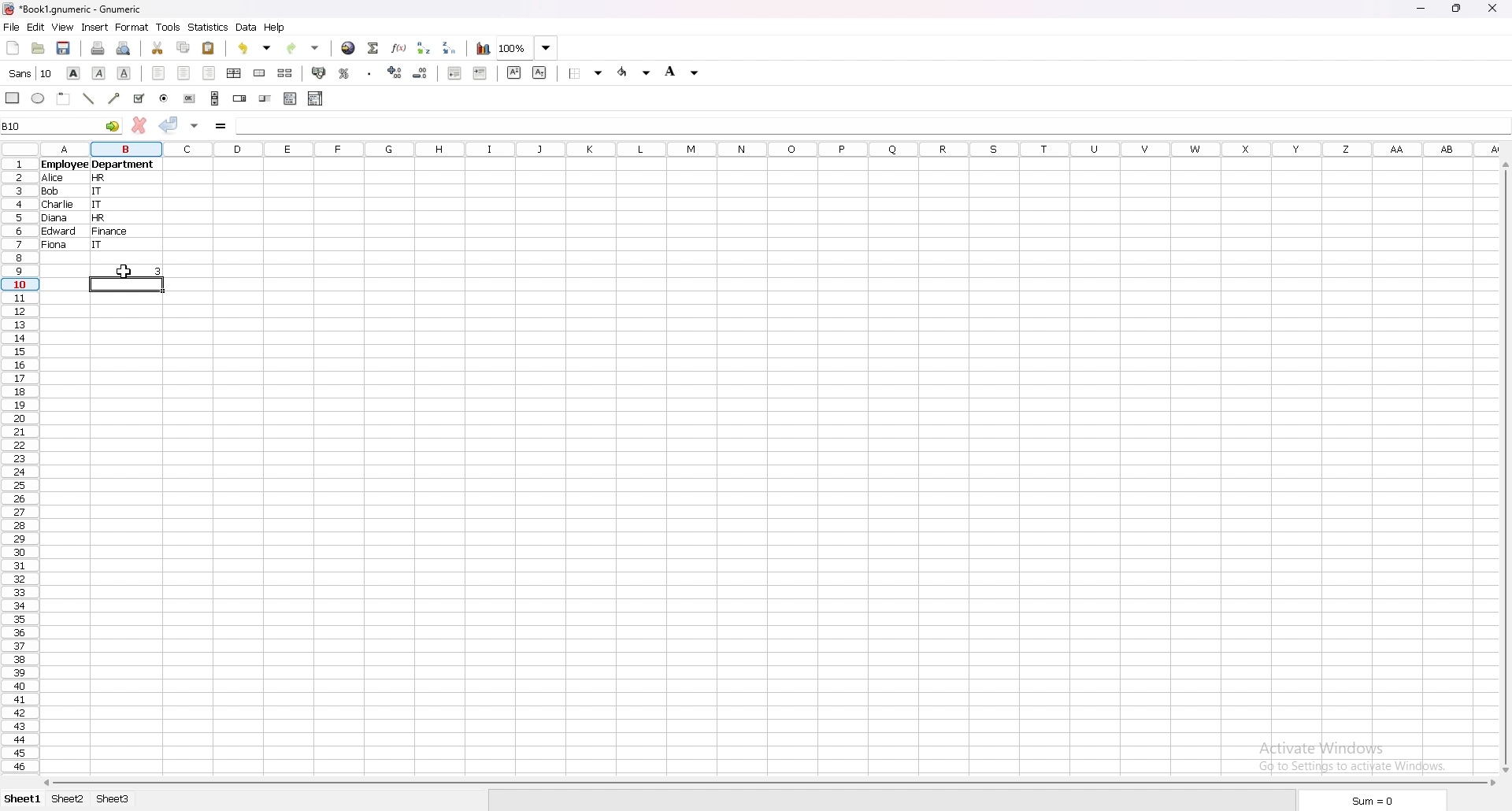 The image size is (1512, 811). What do you see at coordinates (373, 47) in the screenshot?
I see `summation` at bounding box center [373, 47].